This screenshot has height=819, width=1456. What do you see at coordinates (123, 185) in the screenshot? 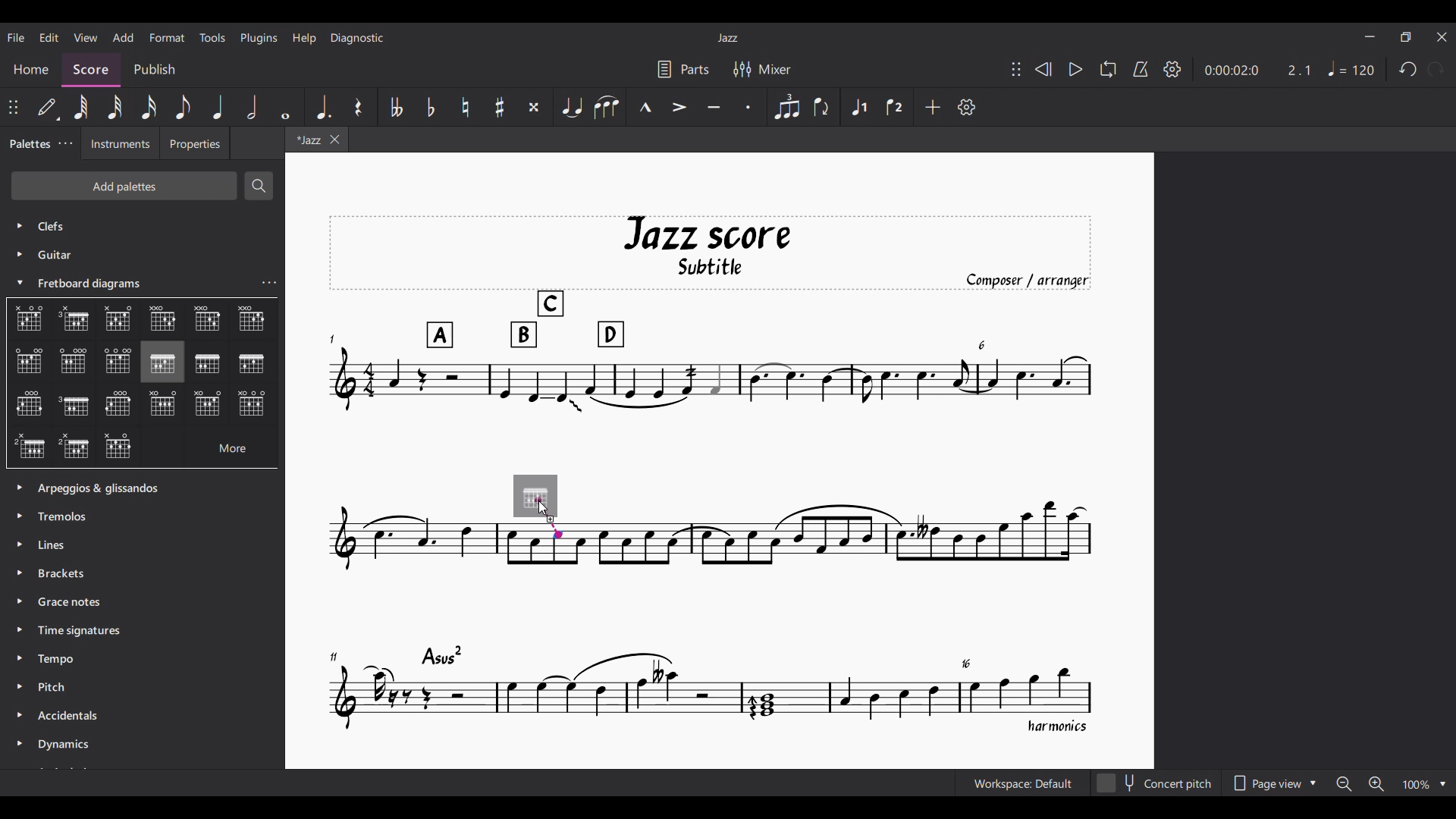
I see `Add palettes` at bounding box center [123, 185].